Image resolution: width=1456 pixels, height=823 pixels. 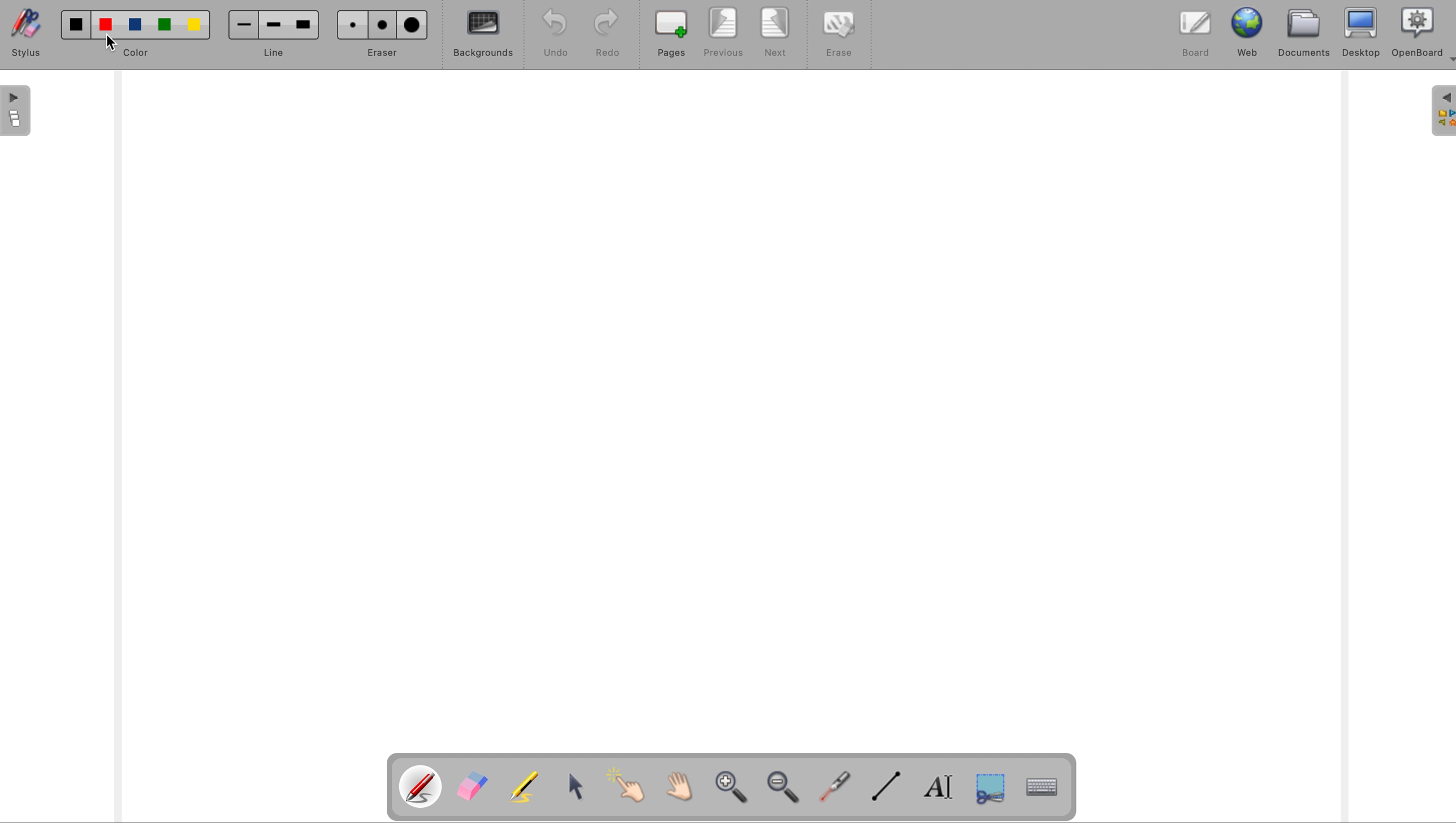 I want to click on previous, so click(x=725, y=32).